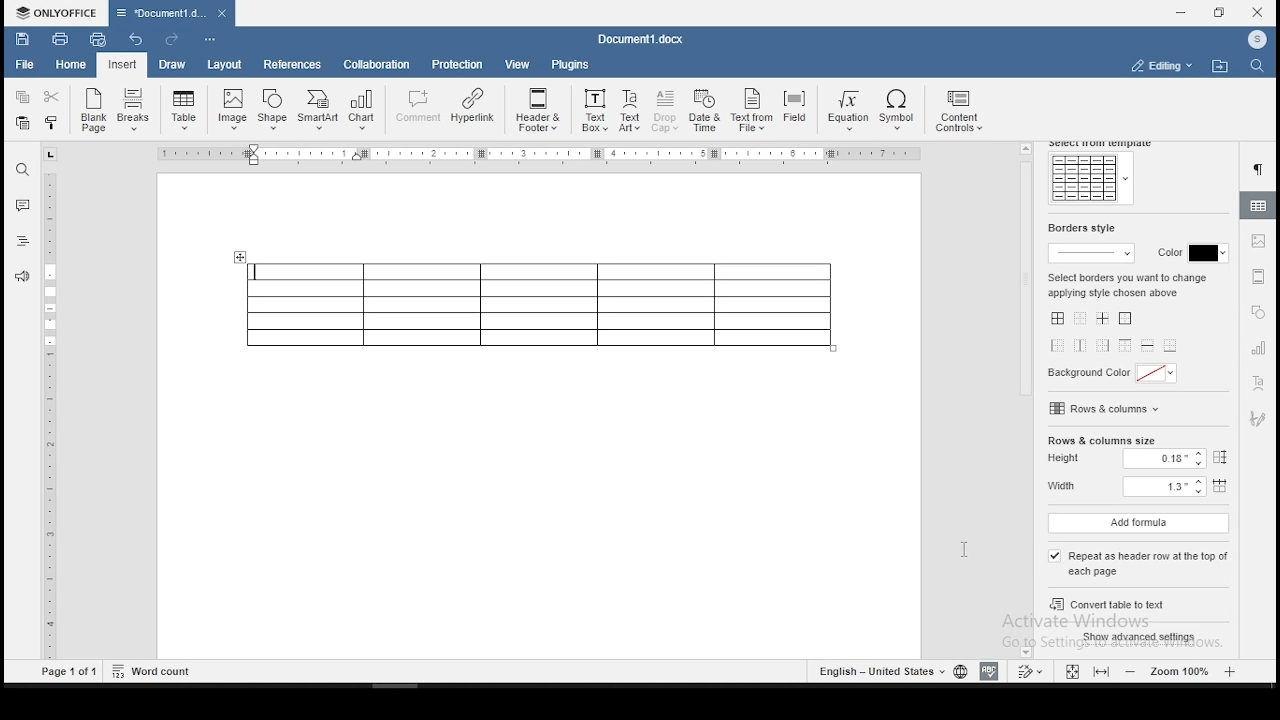 This screenshot has width=1280, height=720. What do you see at coordinates (23, 275) in the screenshot?
I see `feedback and support` at bounding box center [23, 275].